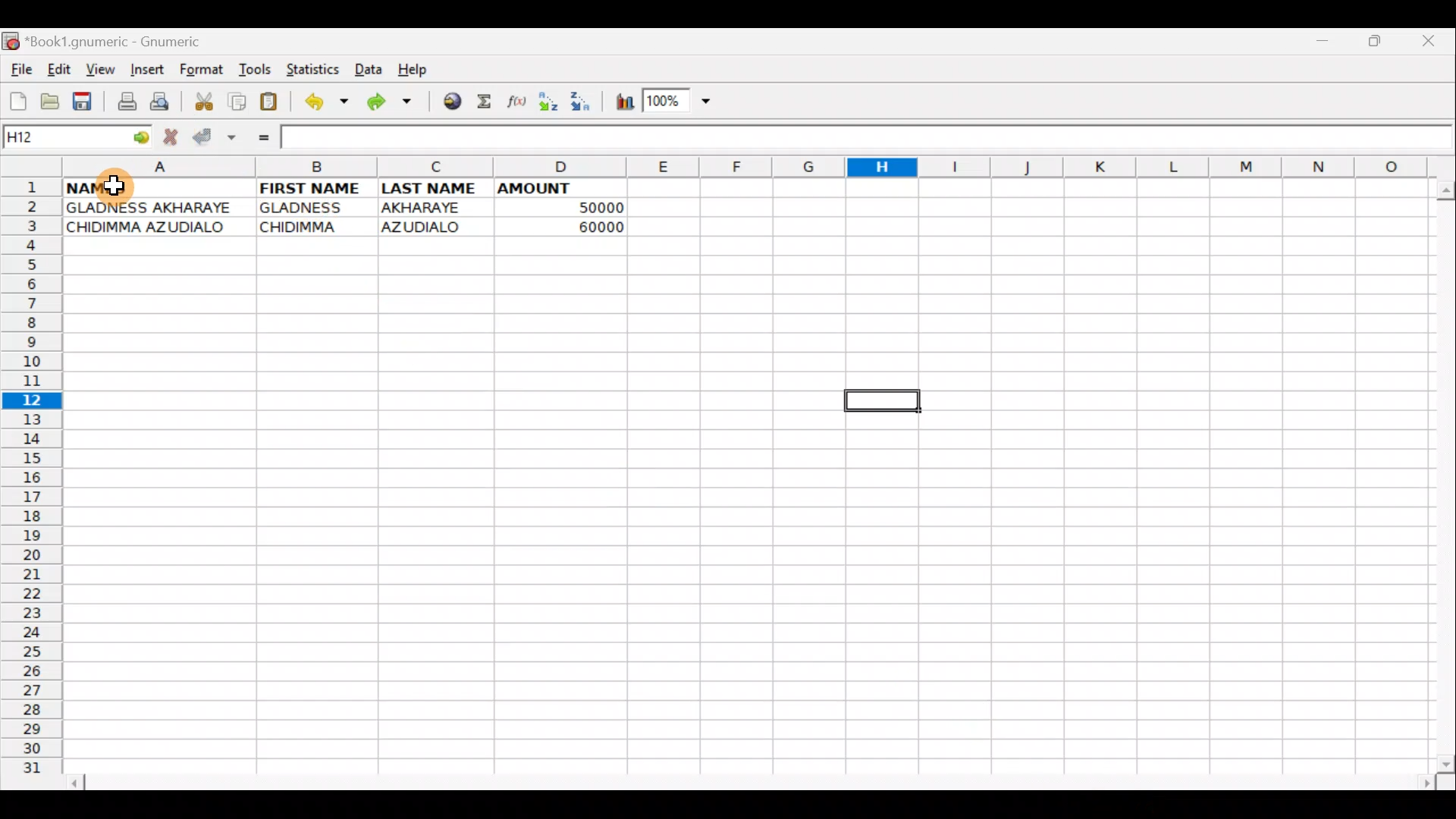 This screenshot has width=1456, height=819. What do you see at coordinates (486, 102) in the screenshot?
I see `Sum into the current cell` at bounding box center [486, 102].